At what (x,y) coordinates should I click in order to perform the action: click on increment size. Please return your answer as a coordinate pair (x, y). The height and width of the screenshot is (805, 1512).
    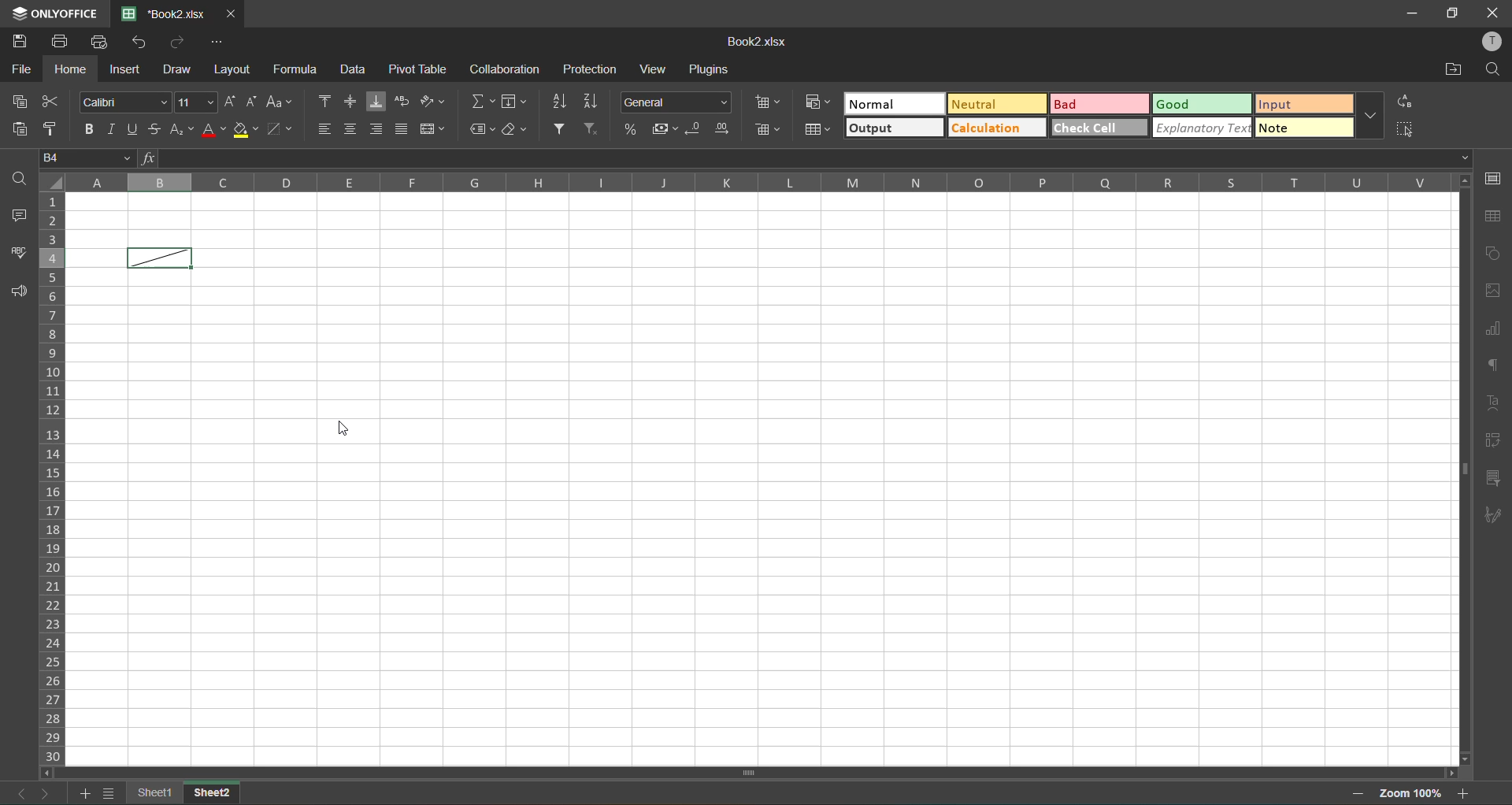
    Looking at the image, I should click on (230, 101).